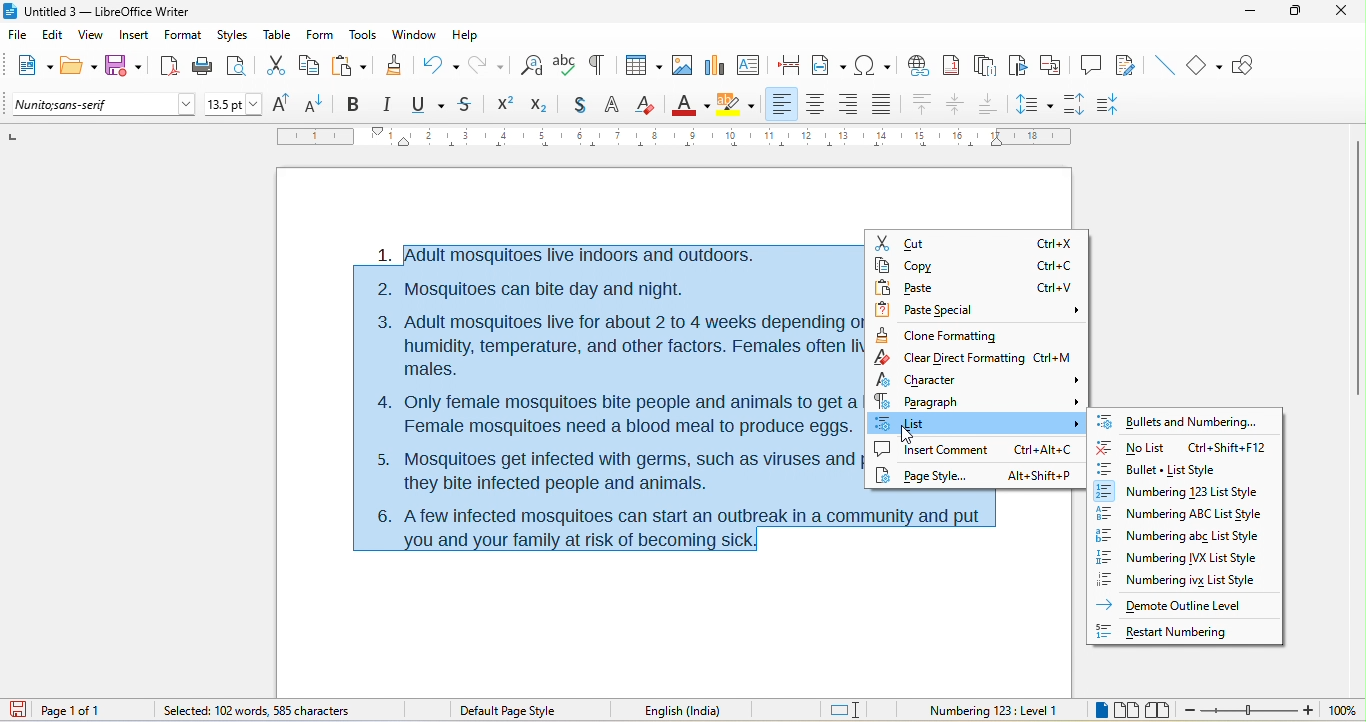 This screenshot has width=1366, height=722. What do you see at coordinates (1185, 580) in the screenshot?
I see `numbering ivx list style` at bounding box center [1185, 580].